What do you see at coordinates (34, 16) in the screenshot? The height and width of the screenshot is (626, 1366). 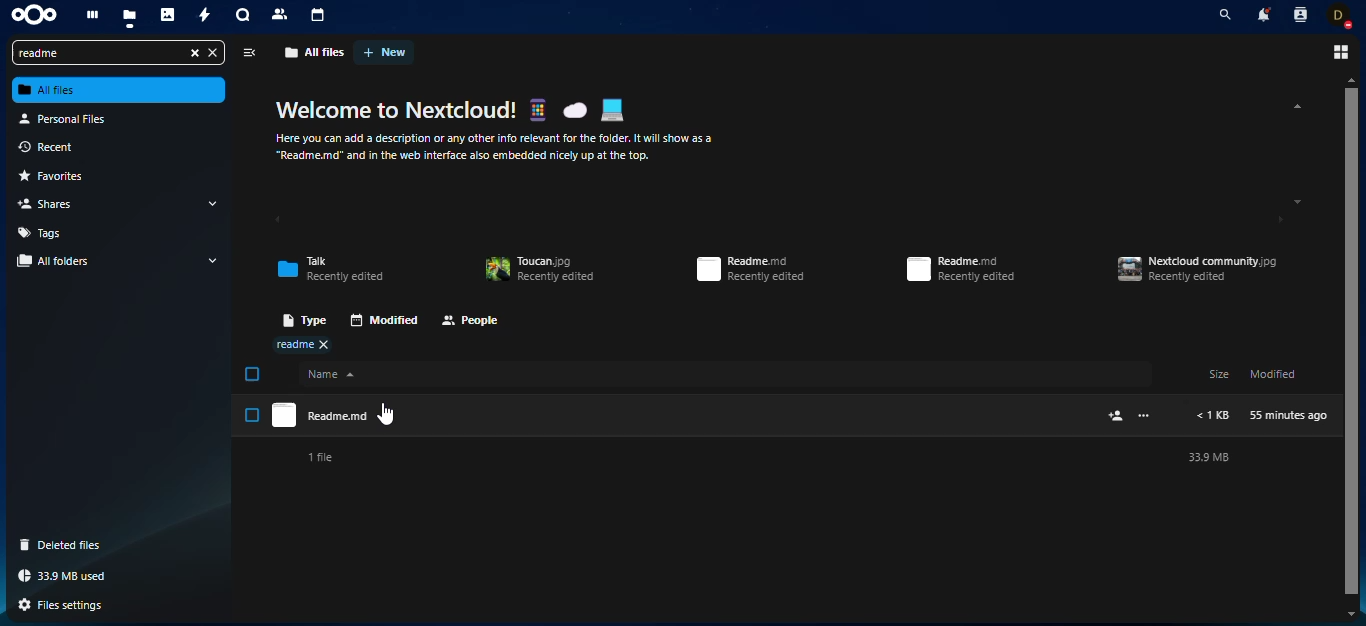 I see `nextcloud logo` at bounding box center [34, 16].